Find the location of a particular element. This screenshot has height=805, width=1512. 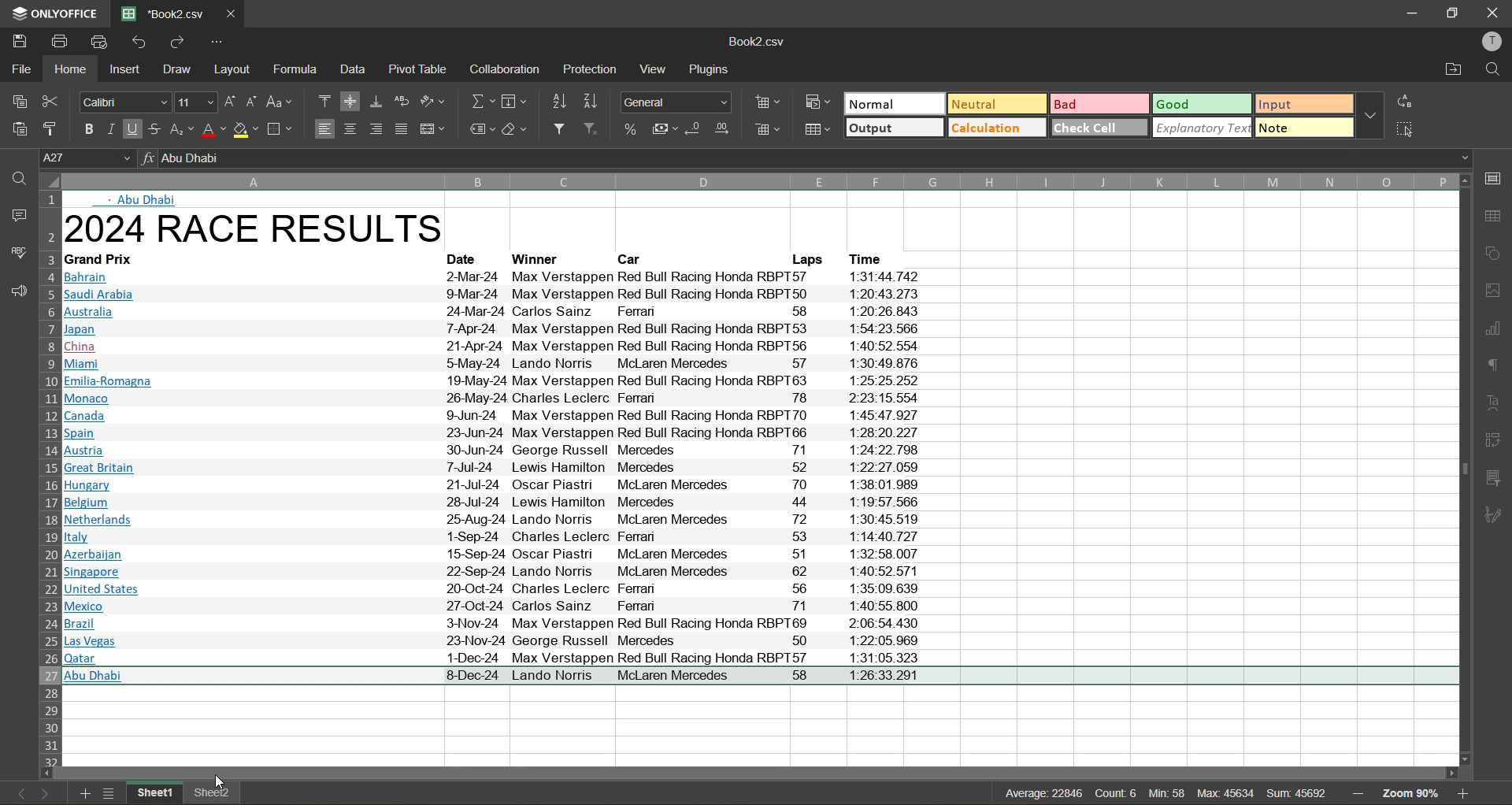

table is located at coordinates (1495, 217).